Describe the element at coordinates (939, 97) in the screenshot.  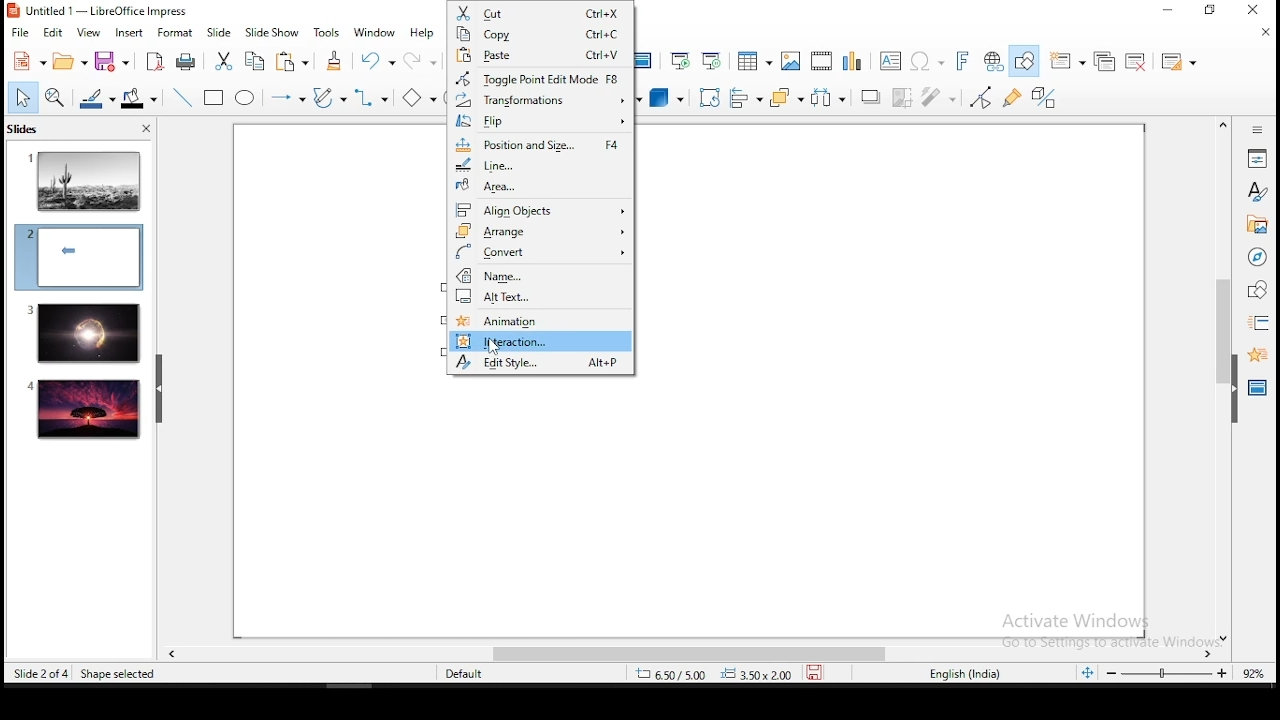
I see `filter` at that location.